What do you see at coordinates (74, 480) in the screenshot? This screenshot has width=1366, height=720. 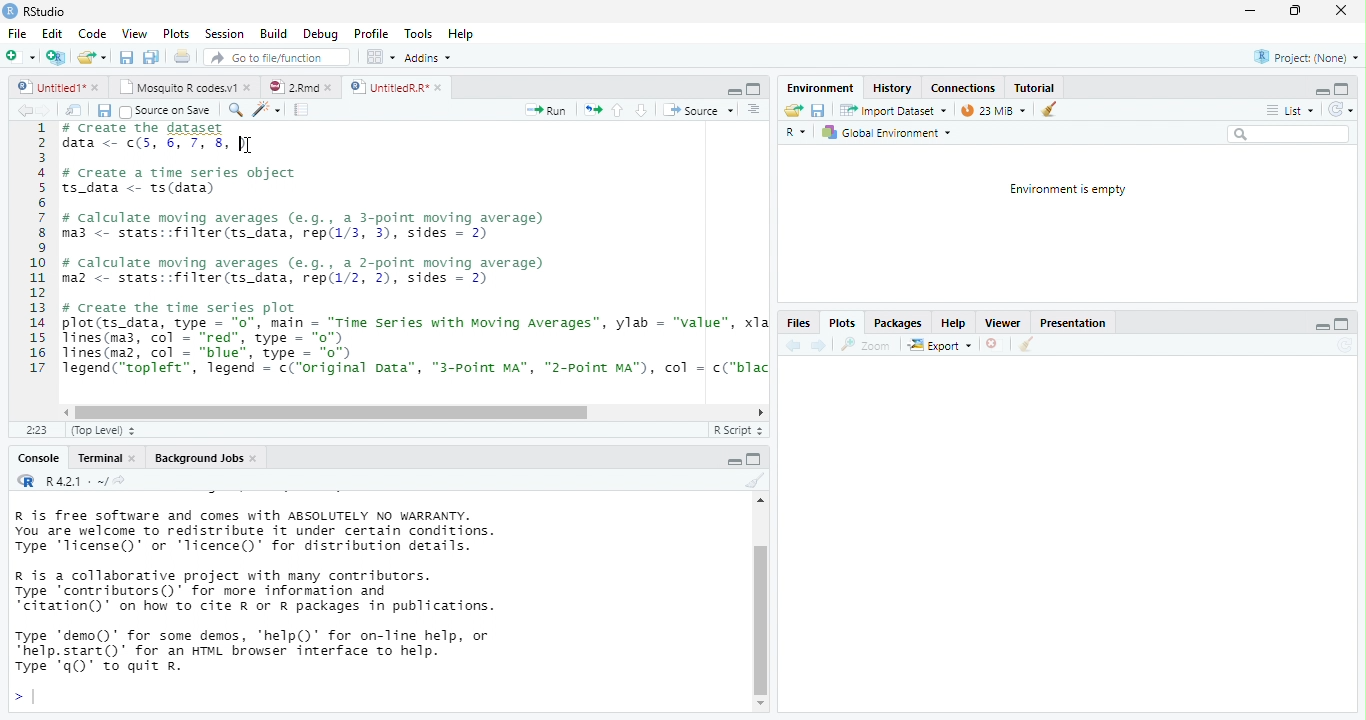 I see `R 4.2.1 . ~/` at bounding box center [74, 480].